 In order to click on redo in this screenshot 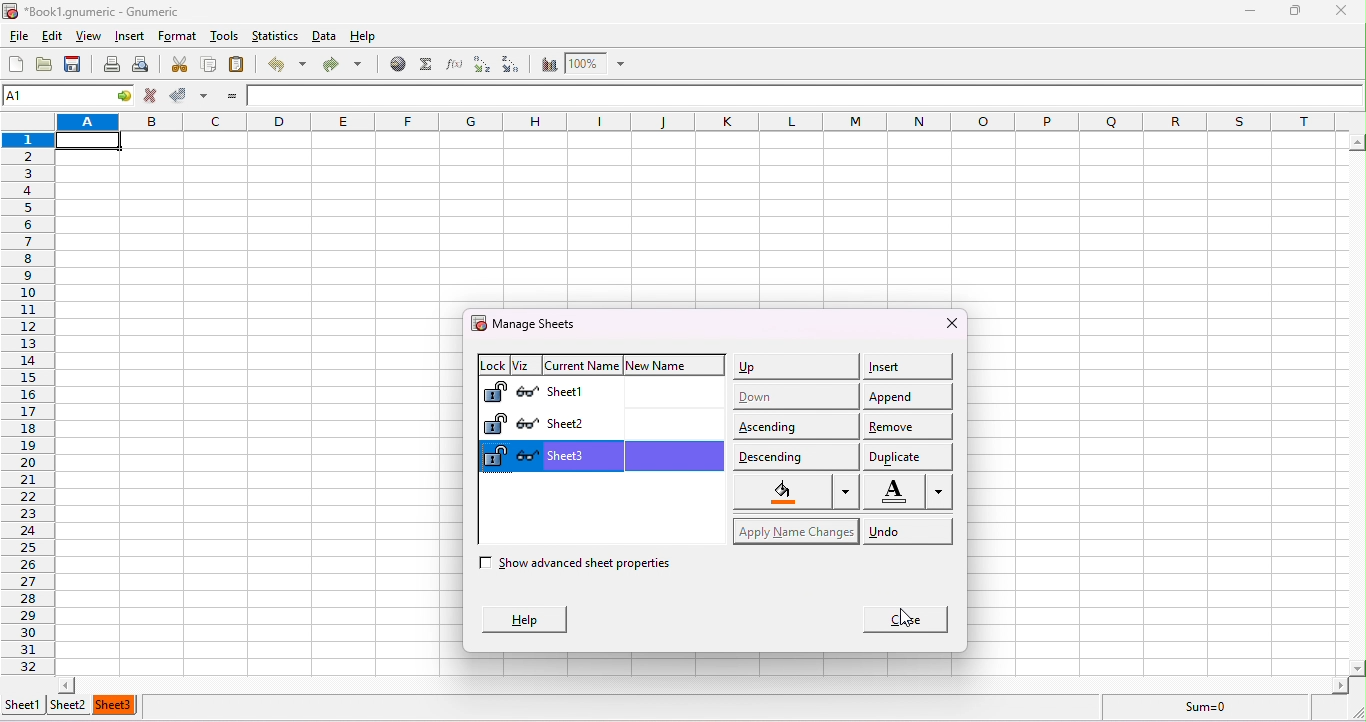, I will do `click(342, 61)`.